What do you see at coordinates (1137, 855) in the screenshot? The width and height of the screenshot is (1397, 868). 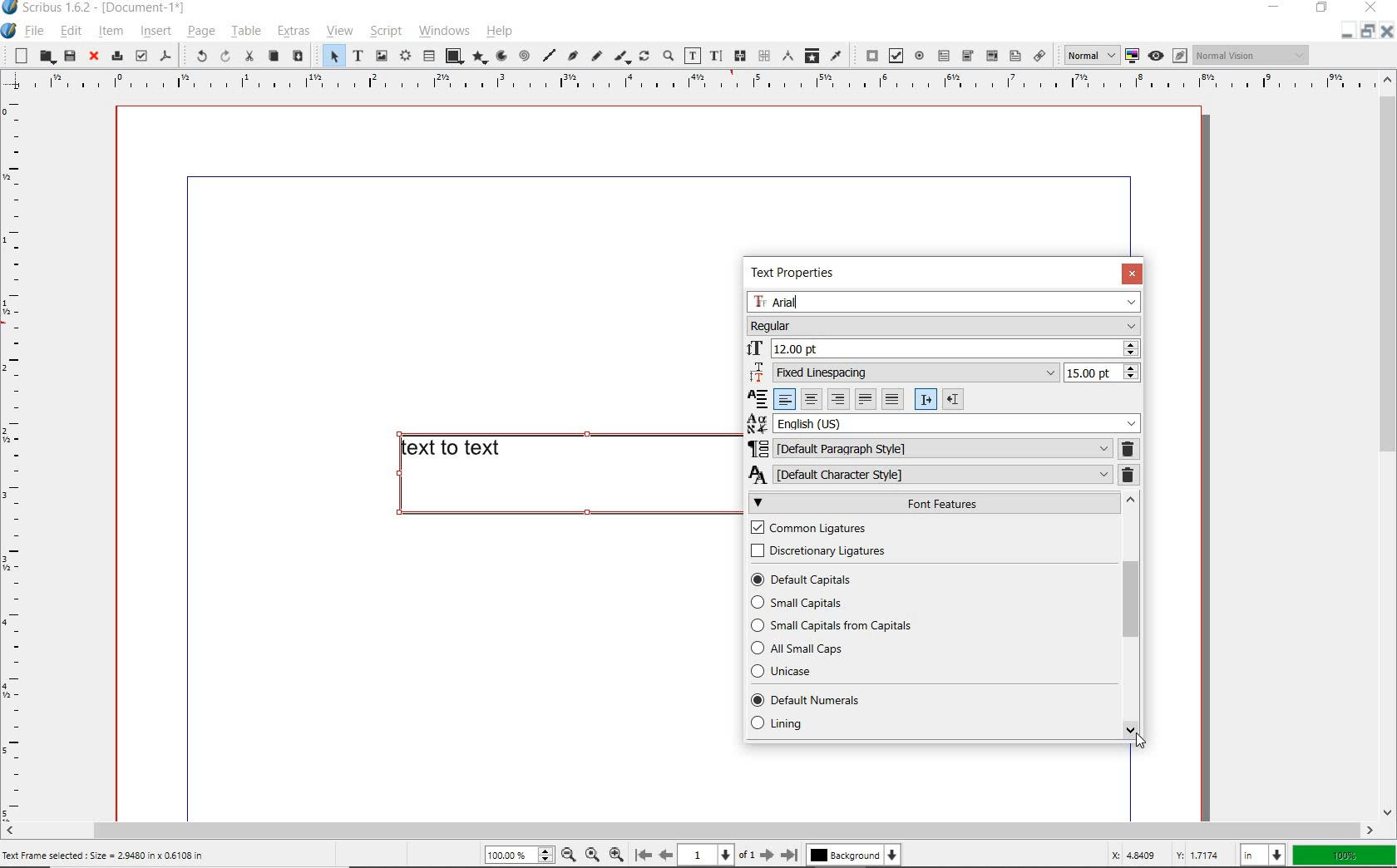 I see `X: 4.8409` at bounding box center [1137, 855].